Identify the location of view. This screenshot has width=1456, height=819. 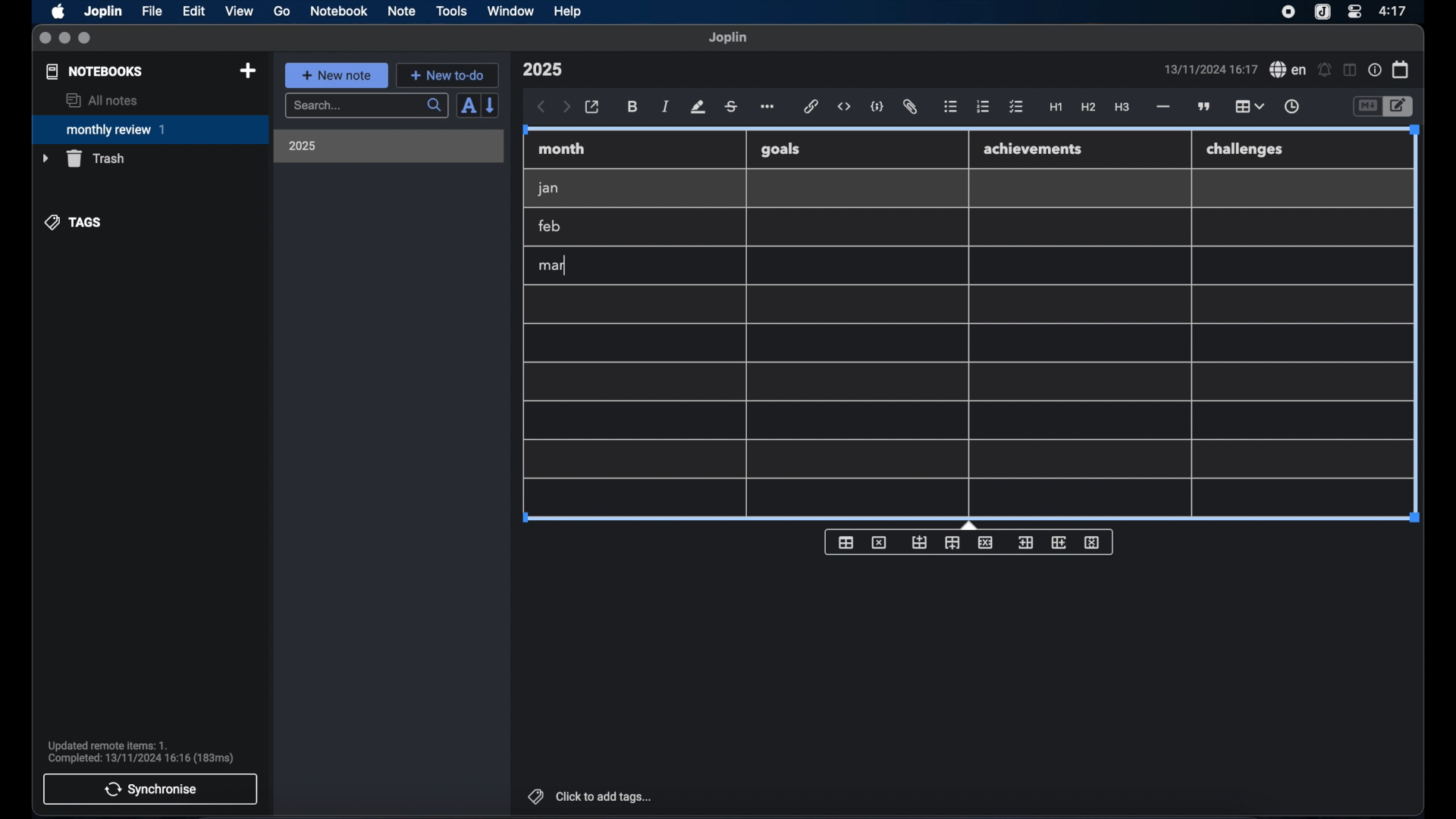
(239, 11).